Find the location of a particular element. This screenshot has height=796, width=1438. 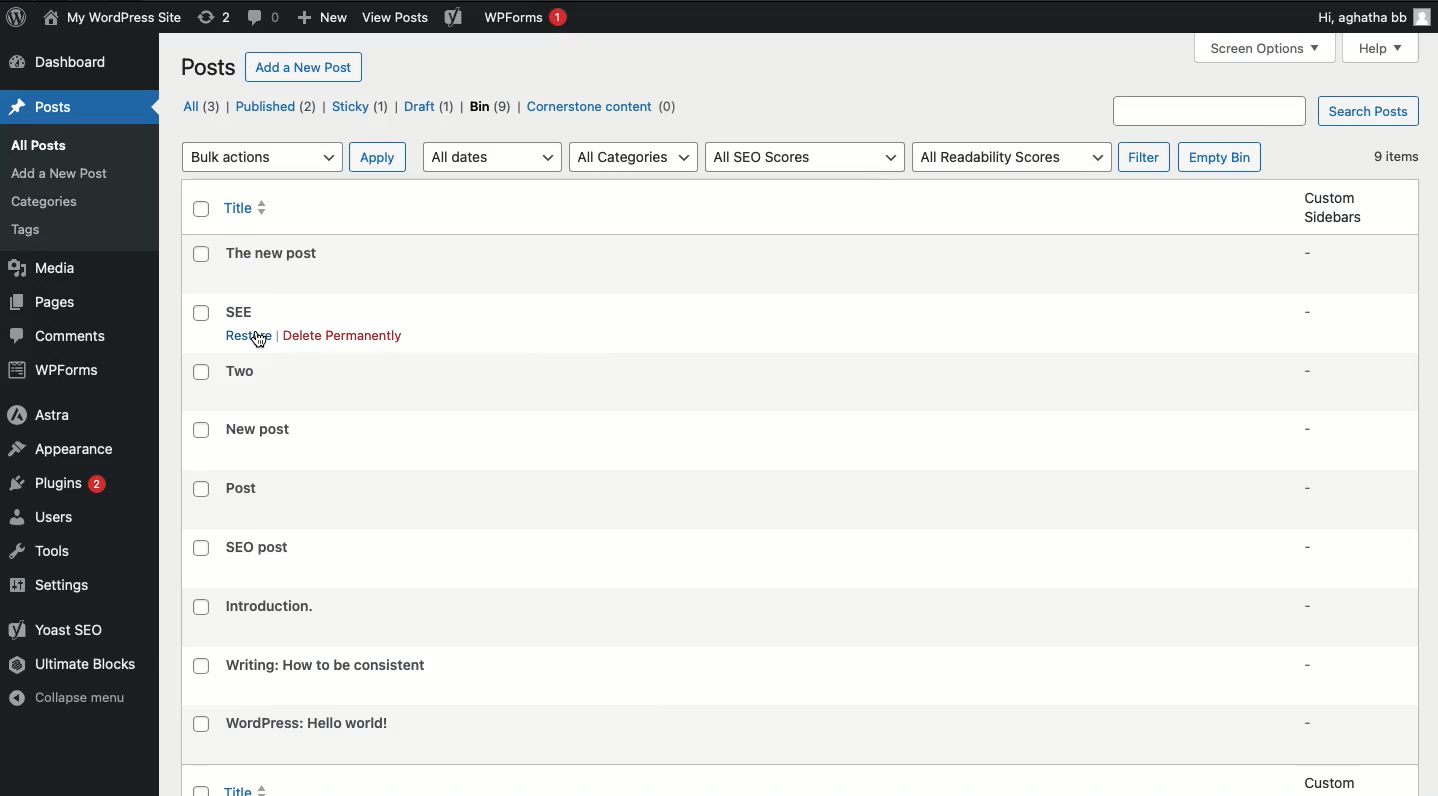

all posts is located at coordinates (41, 146).